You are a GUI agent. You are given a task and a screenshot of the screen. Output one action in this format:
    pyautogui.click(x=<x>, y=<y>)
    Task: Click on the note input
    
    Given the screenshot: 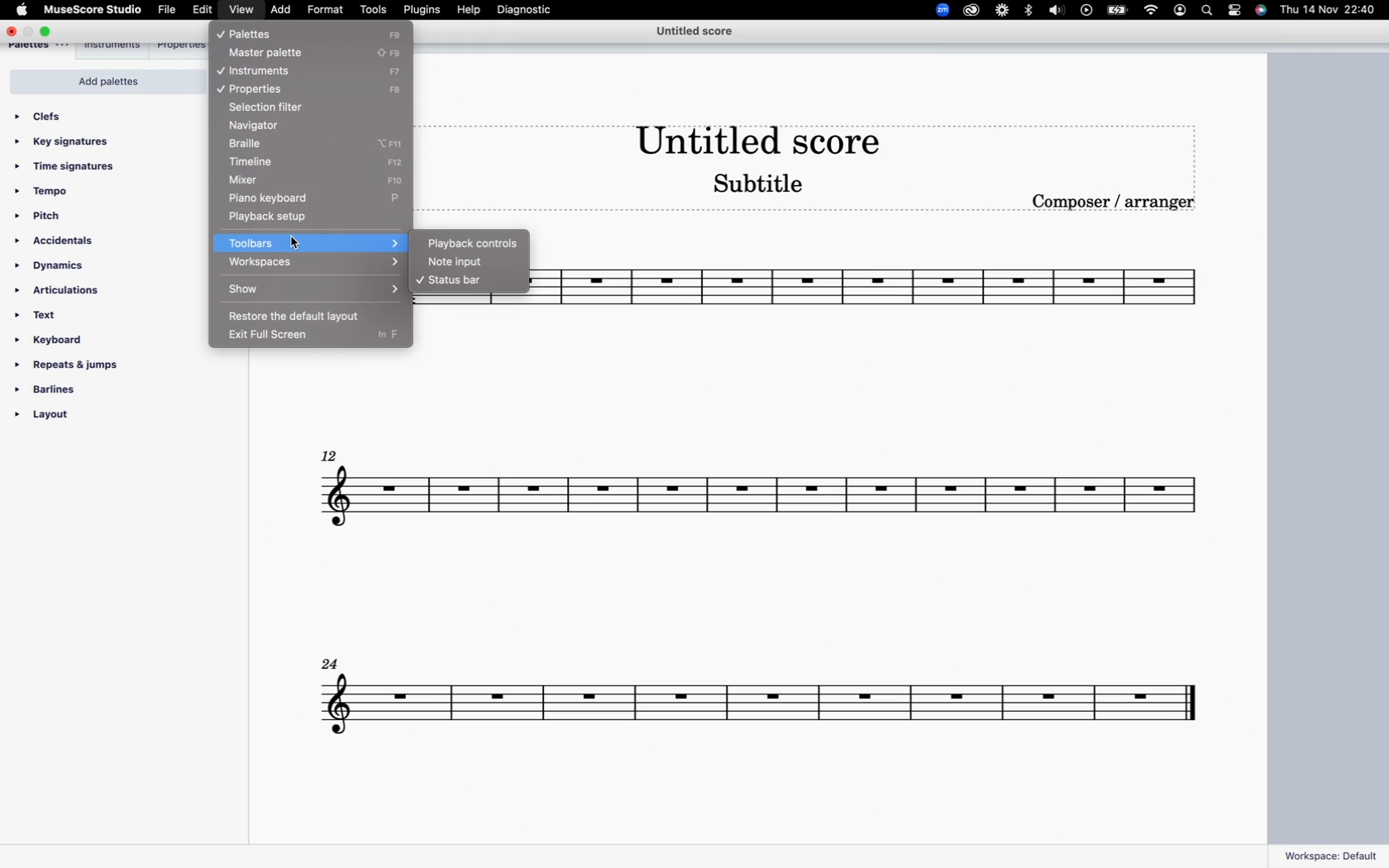 What is the action you would take?
    pyautogui.click(x=475, y=264)
    